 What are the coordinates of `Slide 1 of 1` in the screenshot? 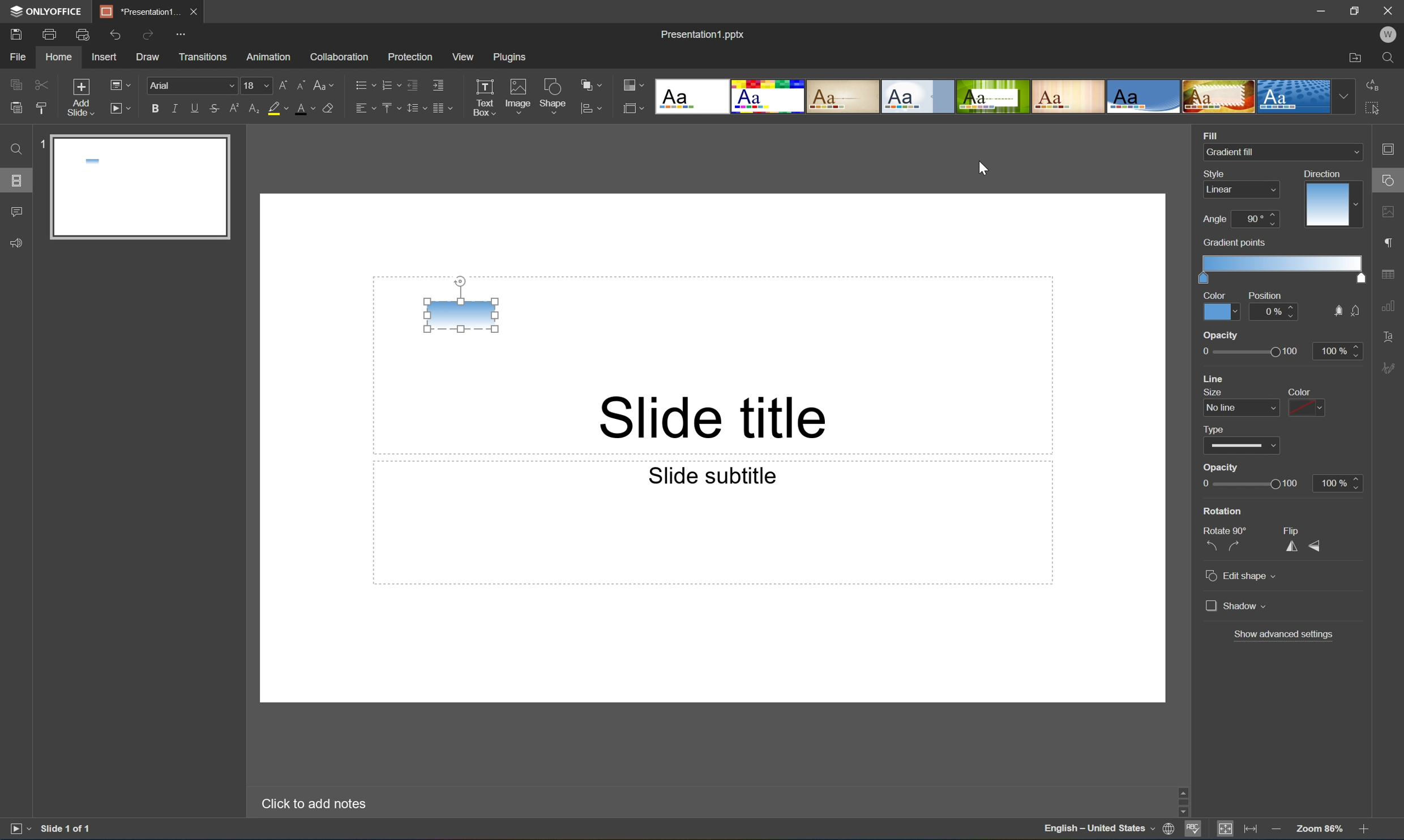 It's located at (67, 828).